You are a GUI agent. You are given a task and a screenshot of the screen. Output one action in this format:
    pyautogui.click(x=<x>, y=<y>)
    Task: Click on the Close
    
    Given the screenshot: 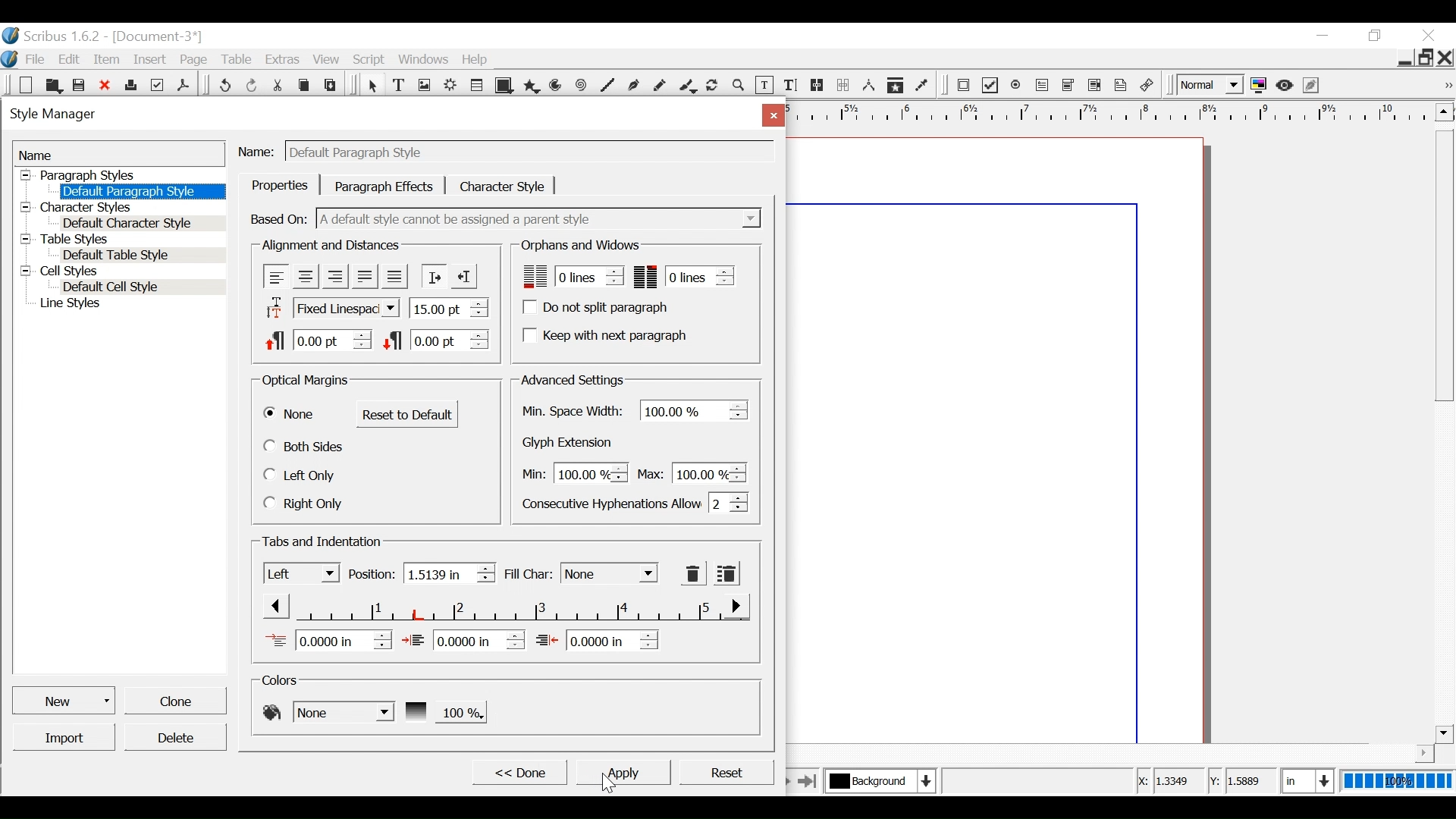 What is the action you would take?
    pyautogui.click(x=106, y=85)
    